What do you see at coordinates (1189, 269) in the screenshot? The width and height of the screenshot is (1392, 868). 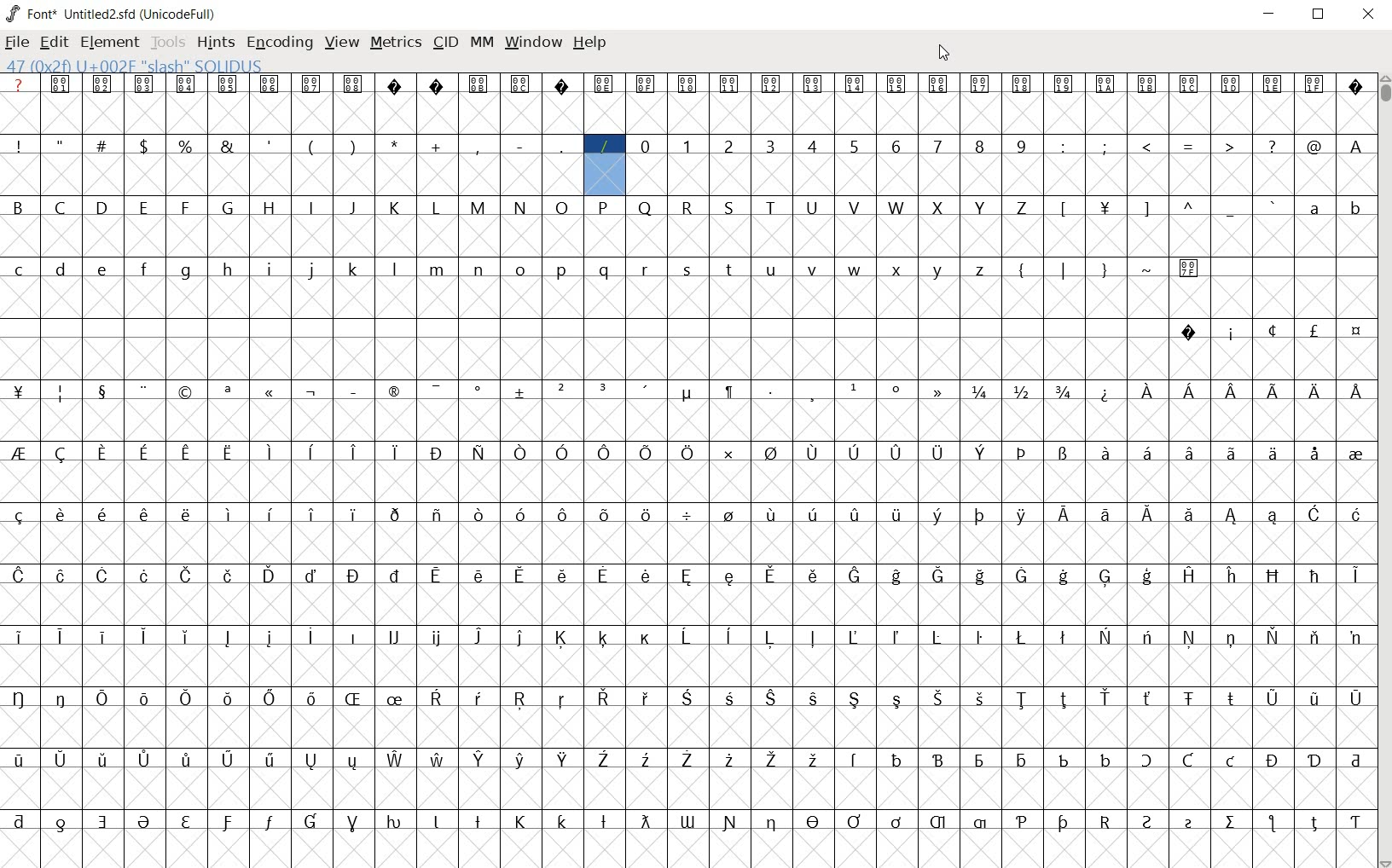 I see `glyph` at bounding box center [1189, 269].